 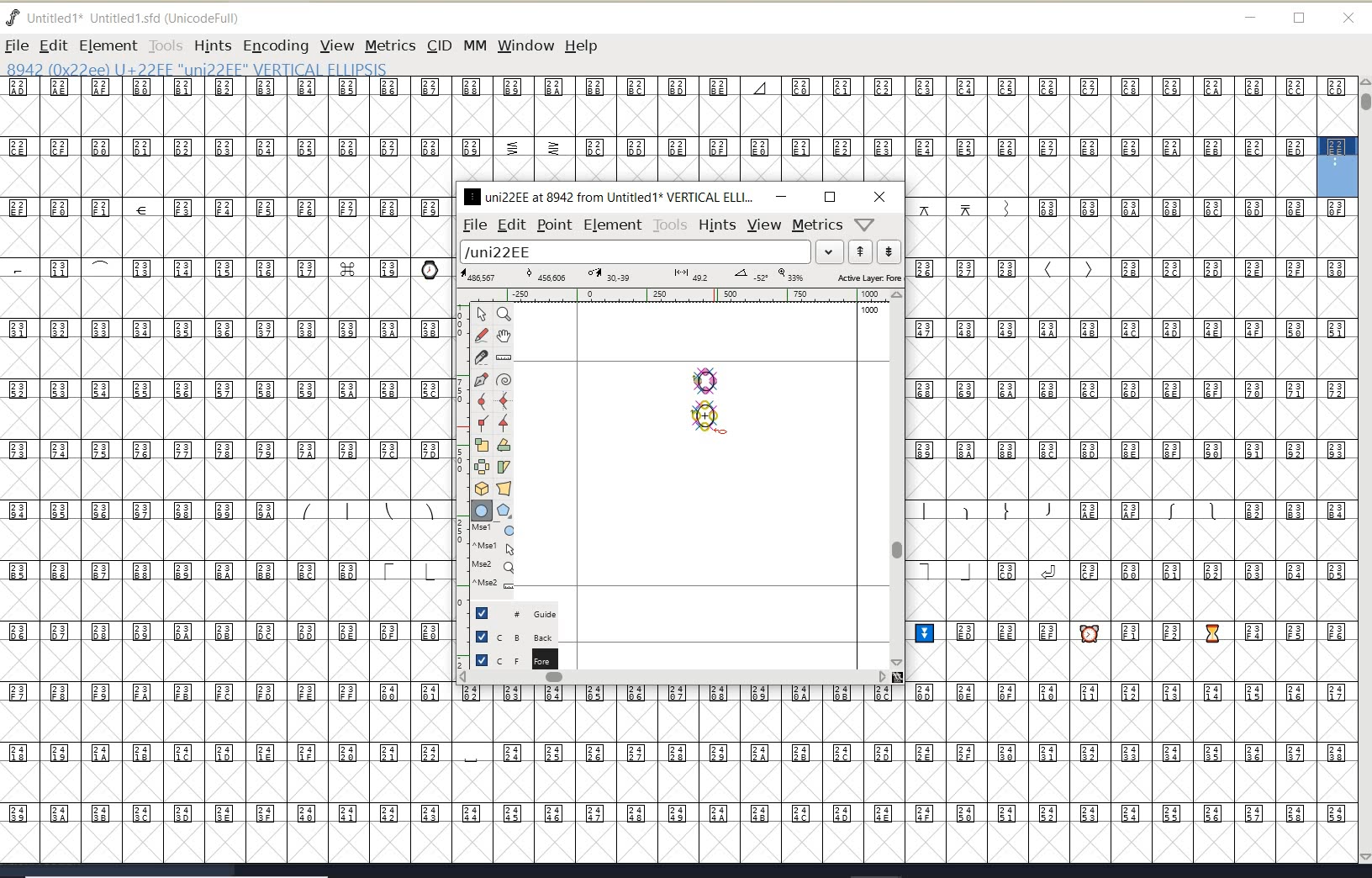 What do you see at coordinates (481, 357) in the screenshot?
I see `cut splines in two` at bounding box center [481, 357].